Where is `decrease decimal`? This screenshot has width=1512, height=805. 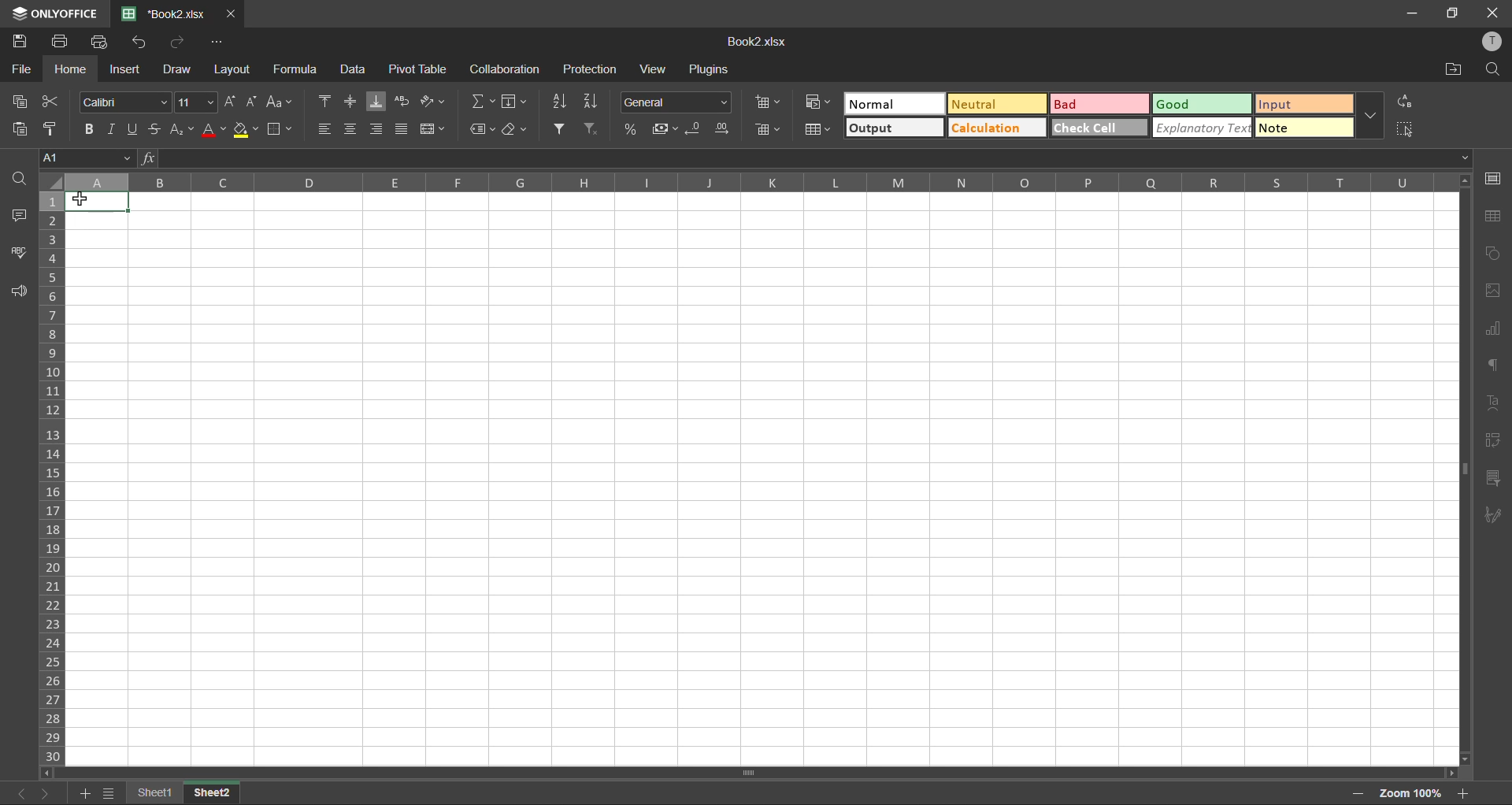
decrease decimal is located at coordinates (699, 128).